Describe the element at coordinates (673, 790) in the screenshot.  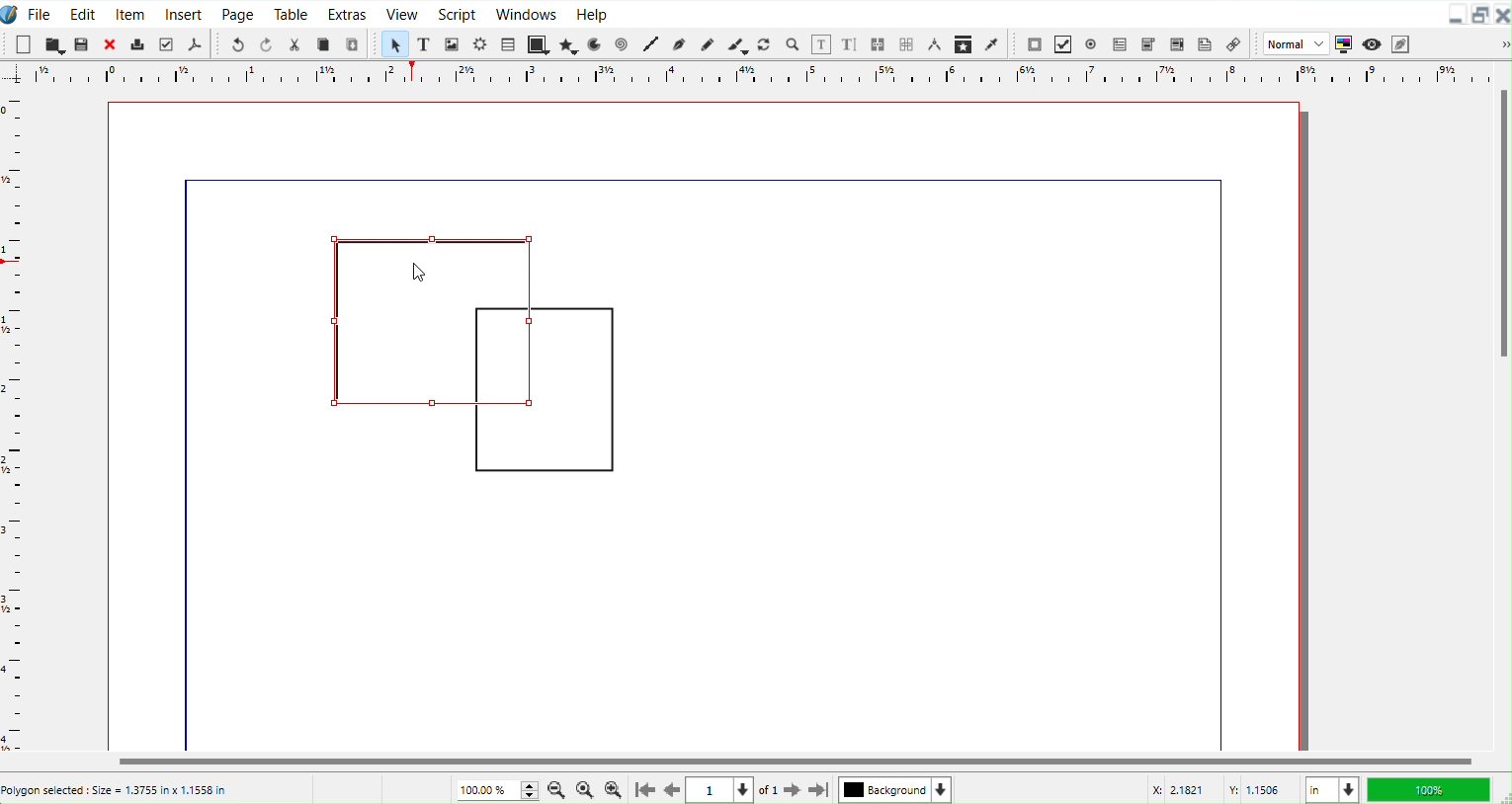
I see `Go to previous Page` at that location.